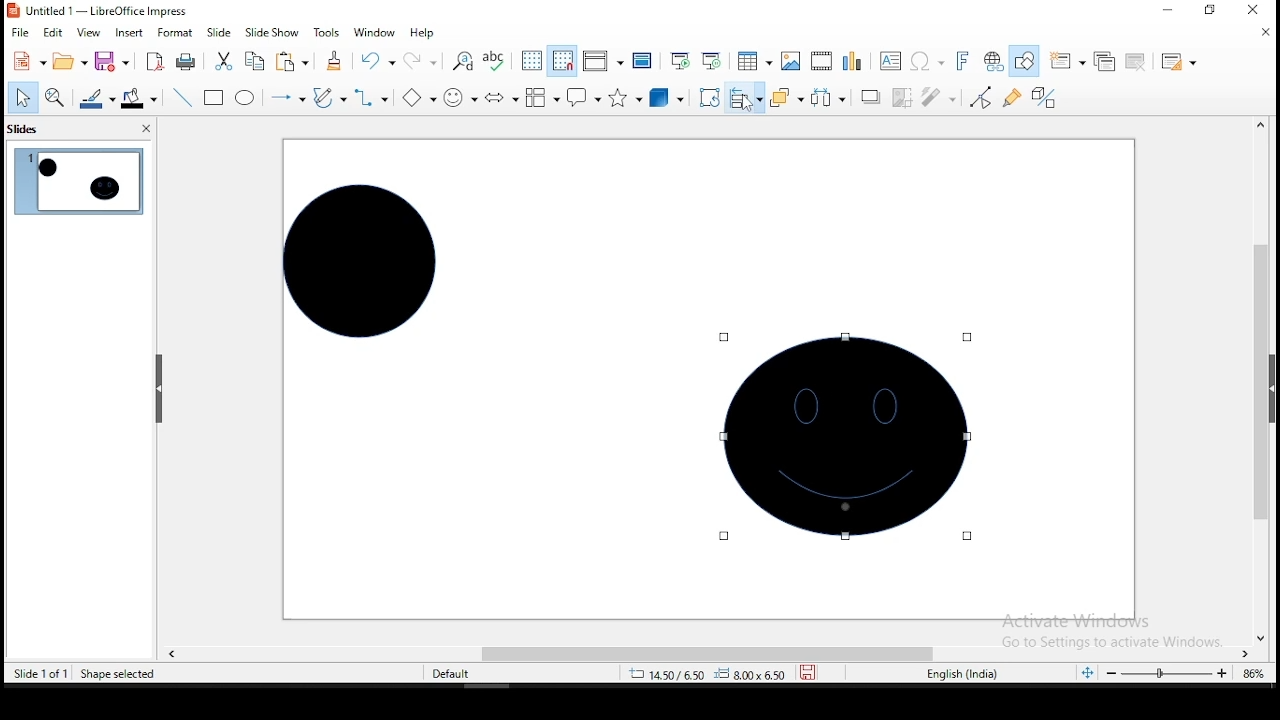 The image size is (1280, 720). What do you see at coordinates (272, 31) in the screenshot?
I see `slide show` at bounding box center [272, 31].